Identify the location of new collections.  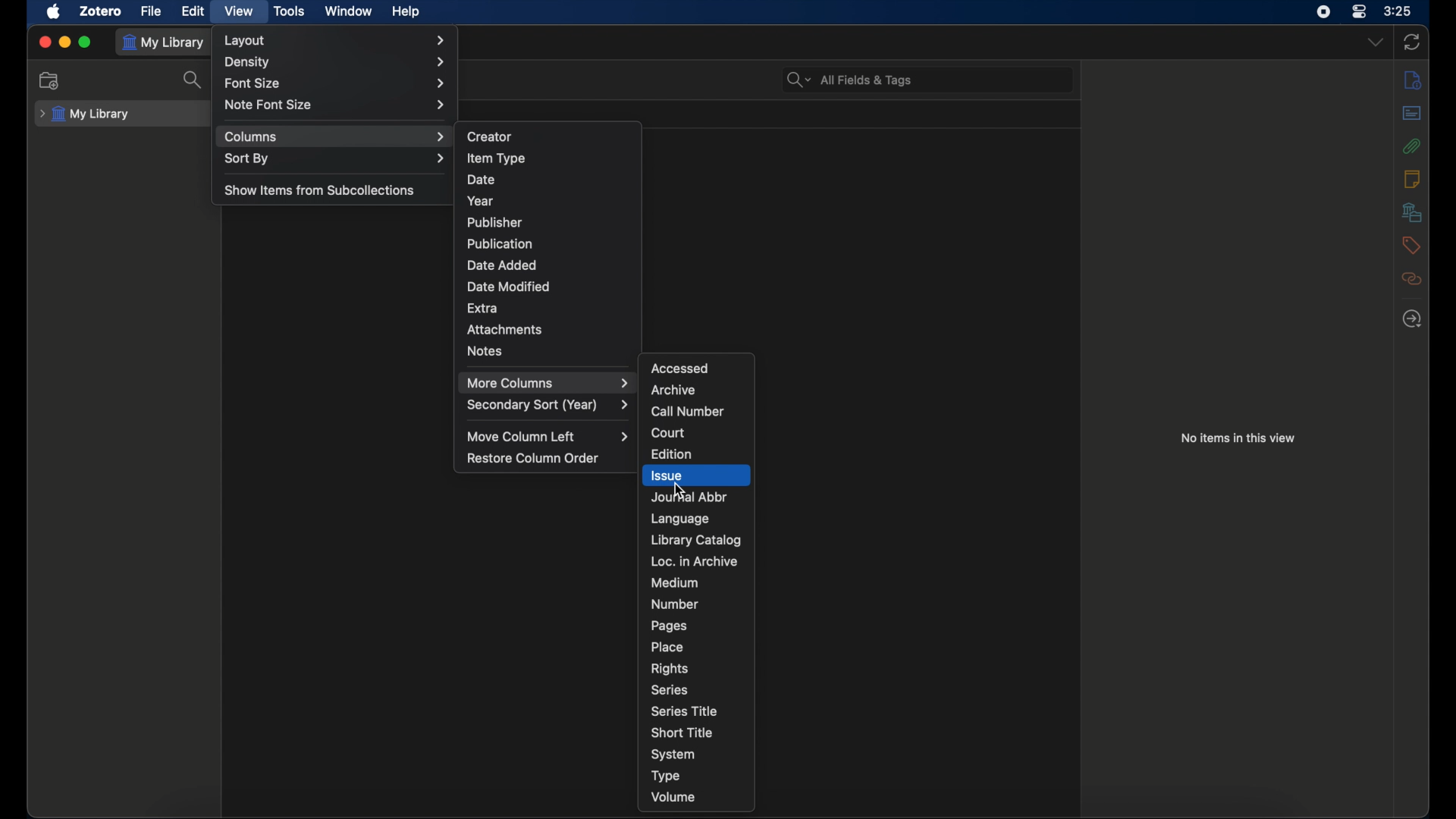
(49, 80).